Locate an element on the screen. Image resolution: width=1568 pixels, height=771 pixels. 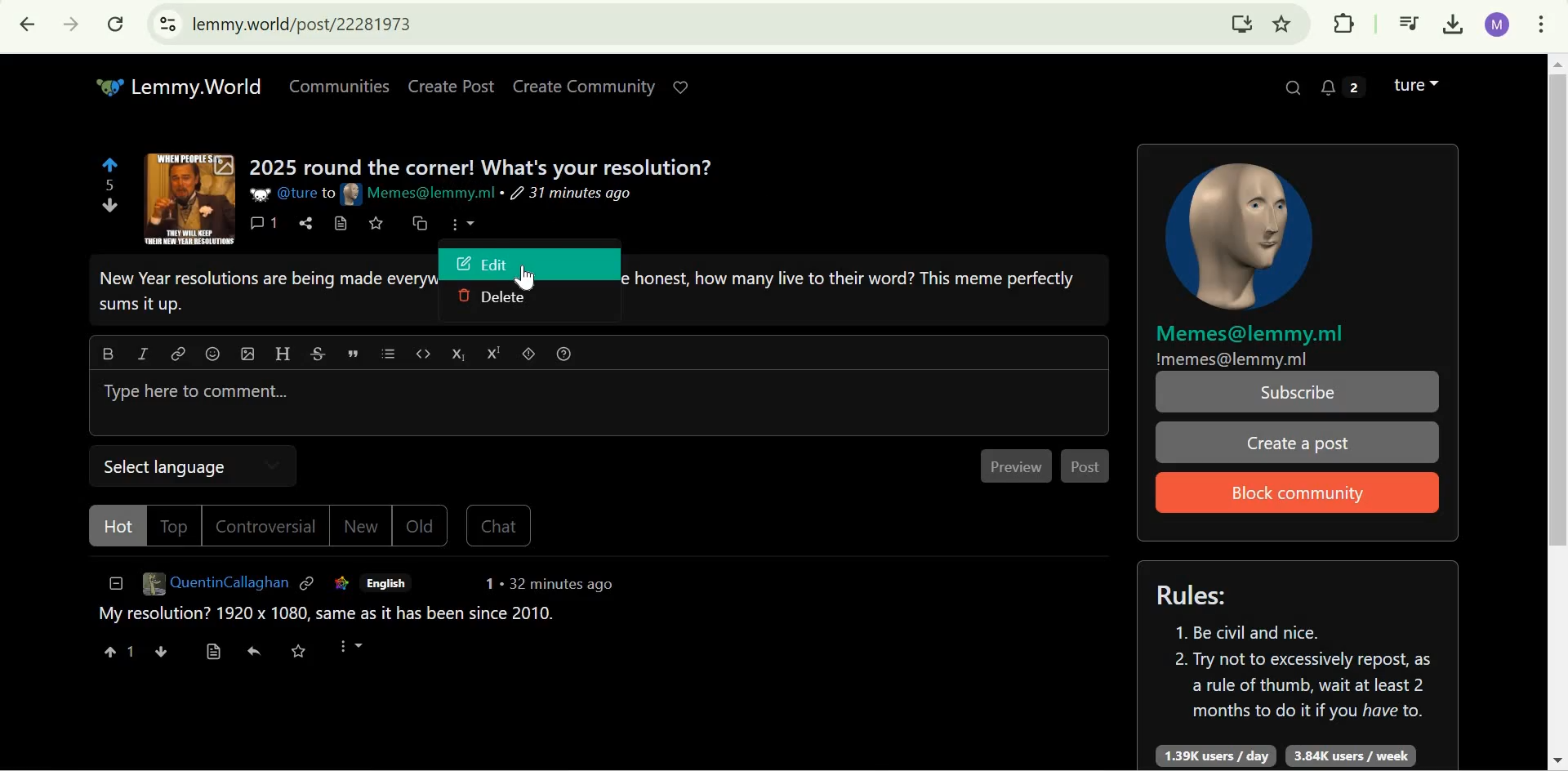
Extensions is located at coordinates (1343, 23).